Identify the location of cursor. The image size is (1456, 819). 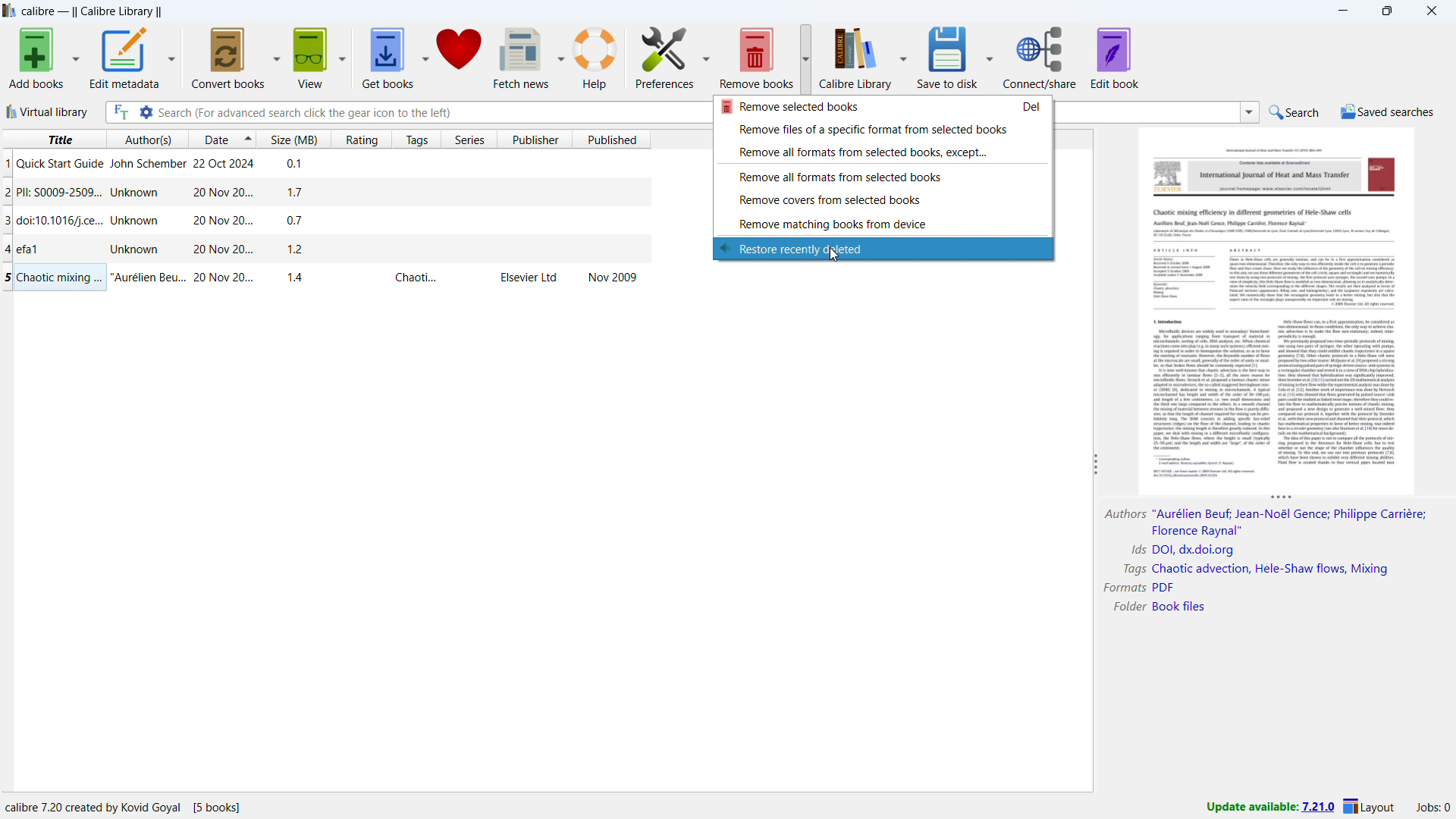
(835, 259).